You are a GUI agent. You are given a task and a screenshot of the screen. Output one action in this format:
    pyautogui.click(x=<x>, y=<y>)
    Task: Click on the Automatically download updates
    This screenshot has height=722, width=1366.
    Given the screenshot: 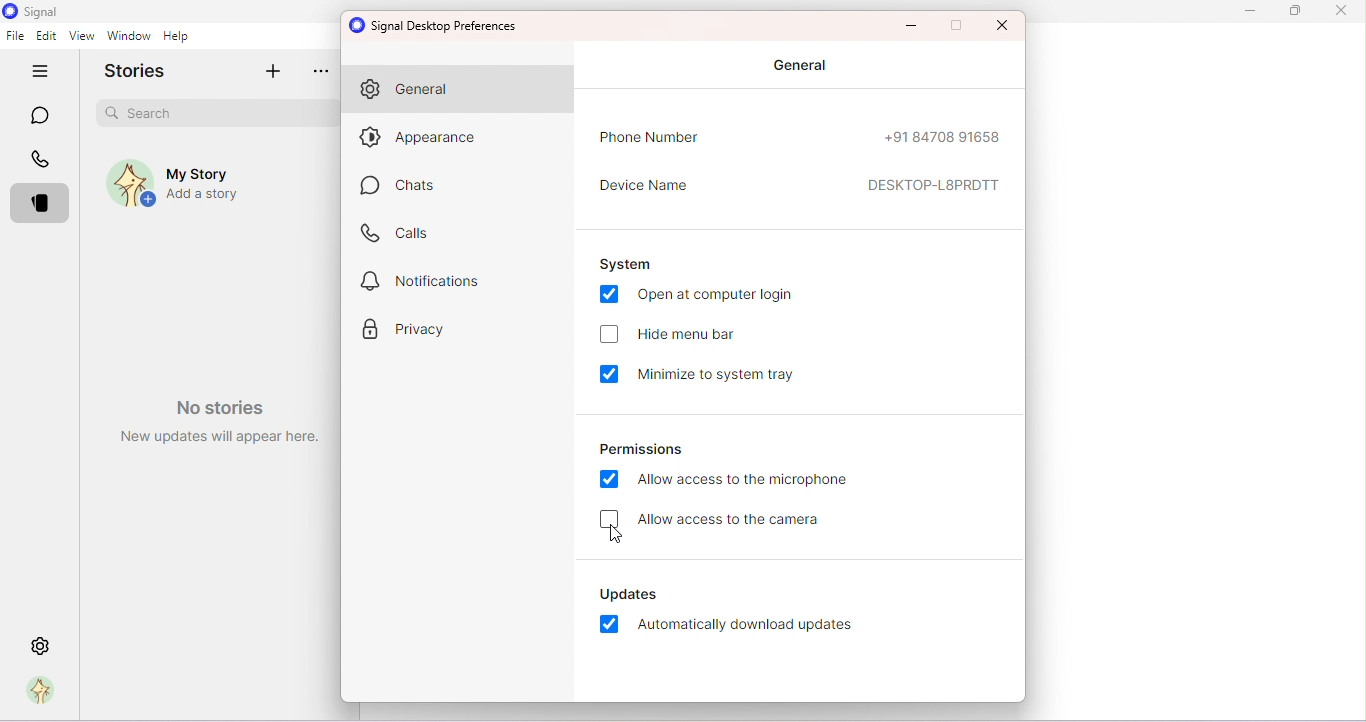 What is the action you would take?
    pyautogui.click(x=734, y=627)
    